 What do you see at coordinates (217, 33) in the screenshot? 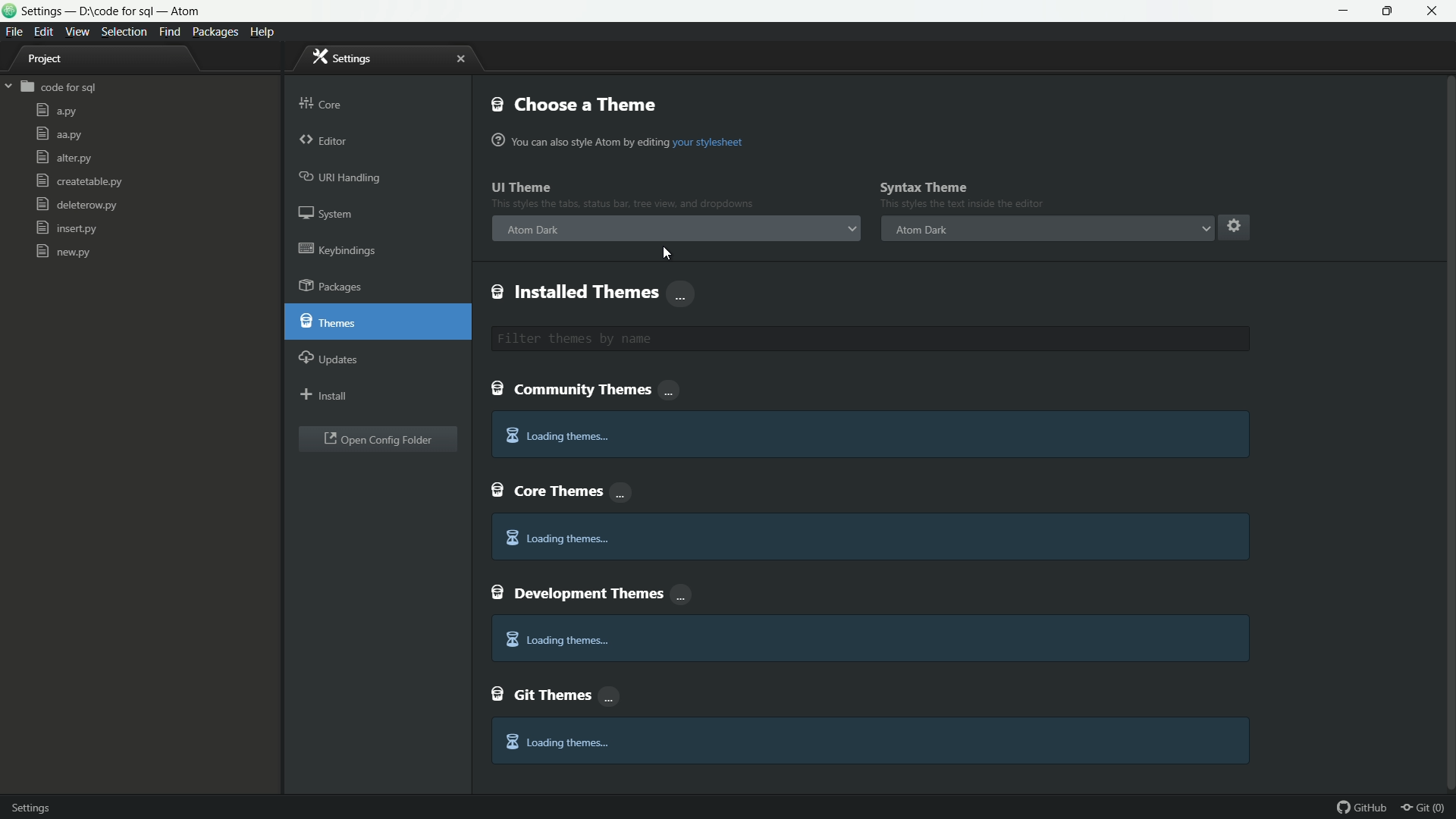
I see `packages menu` at bounding box center [217, 33].